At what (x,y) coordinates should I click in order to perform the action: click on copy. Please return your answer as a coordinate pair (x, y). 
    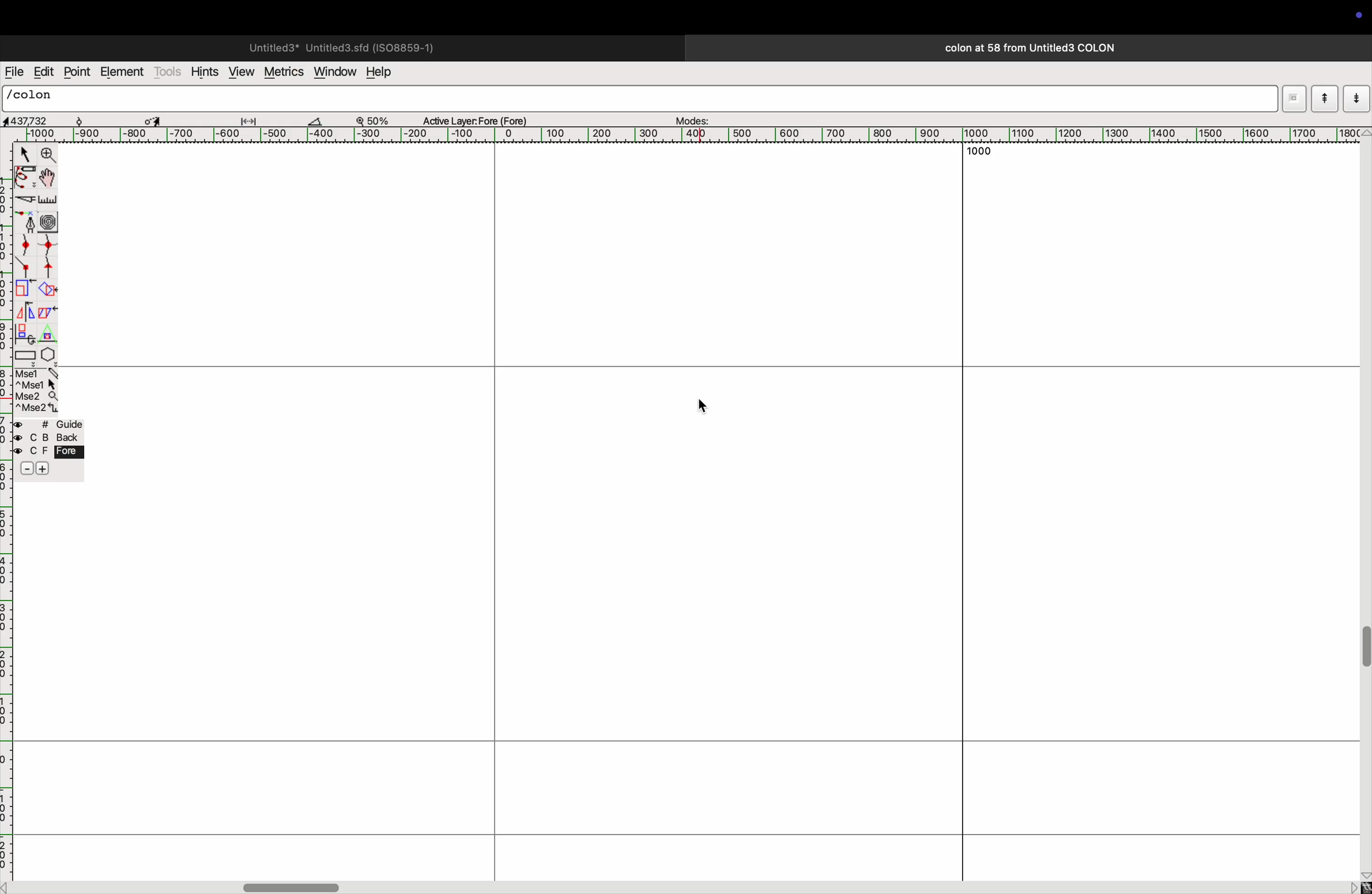
    Looking at the image, I should click on (50, 314).